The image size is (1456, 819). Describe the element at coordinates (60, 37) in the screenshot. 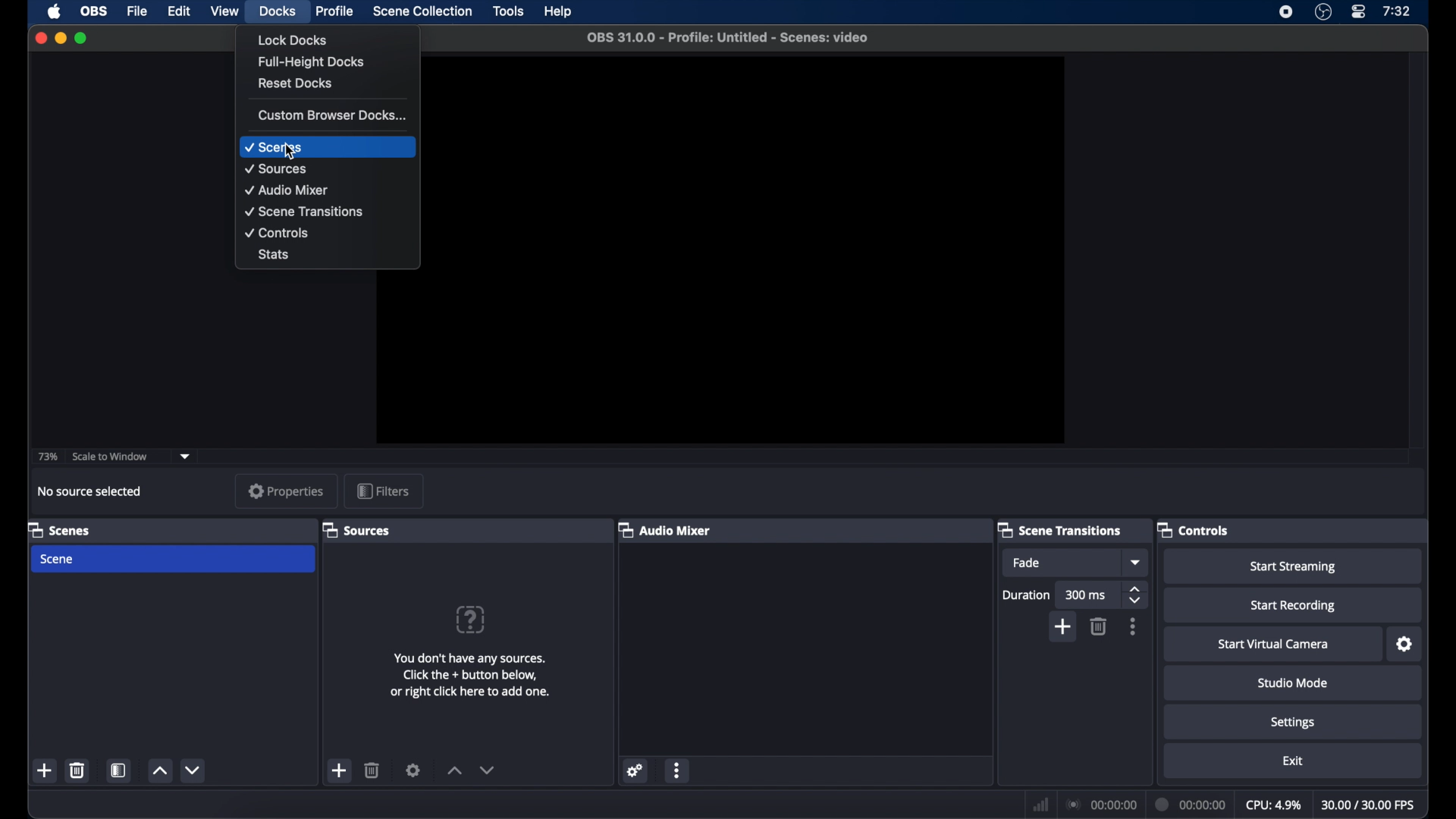

I see `minimize` at that location.